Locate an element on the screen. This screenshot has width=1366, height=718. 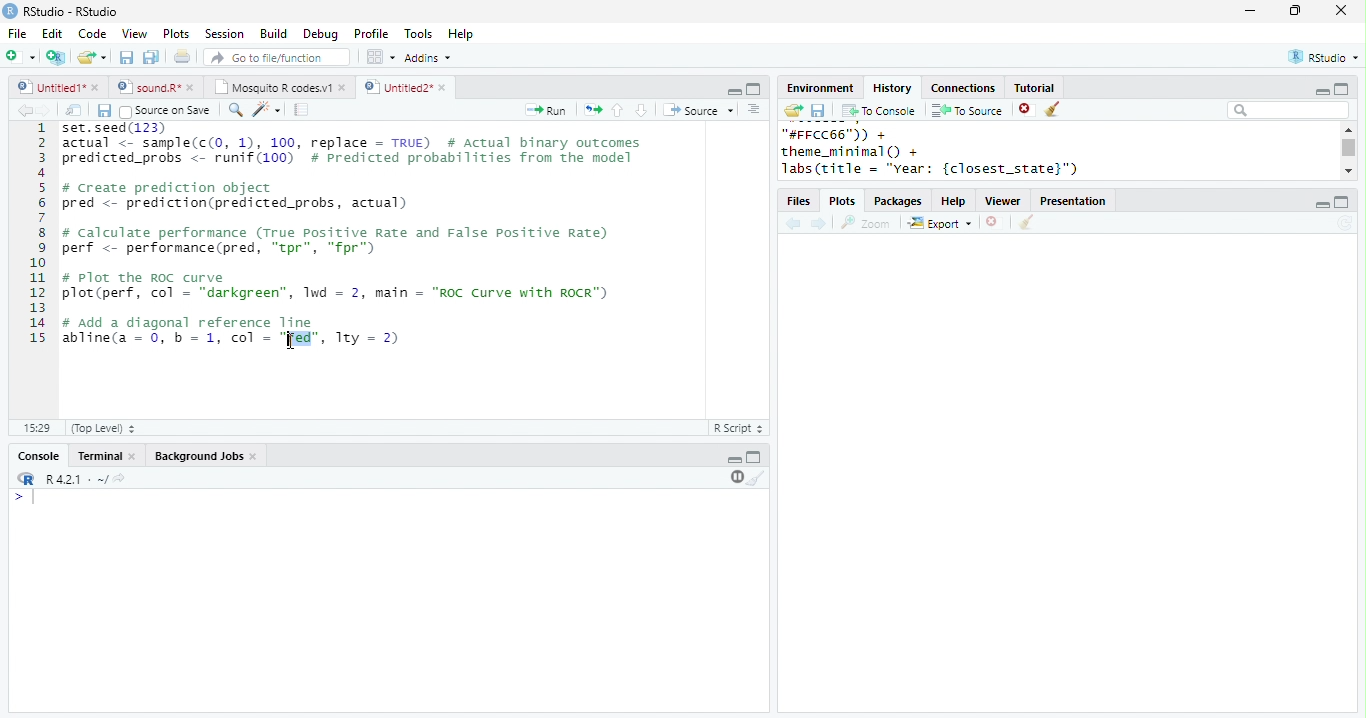
Addins is located at coordinates (428, 58).